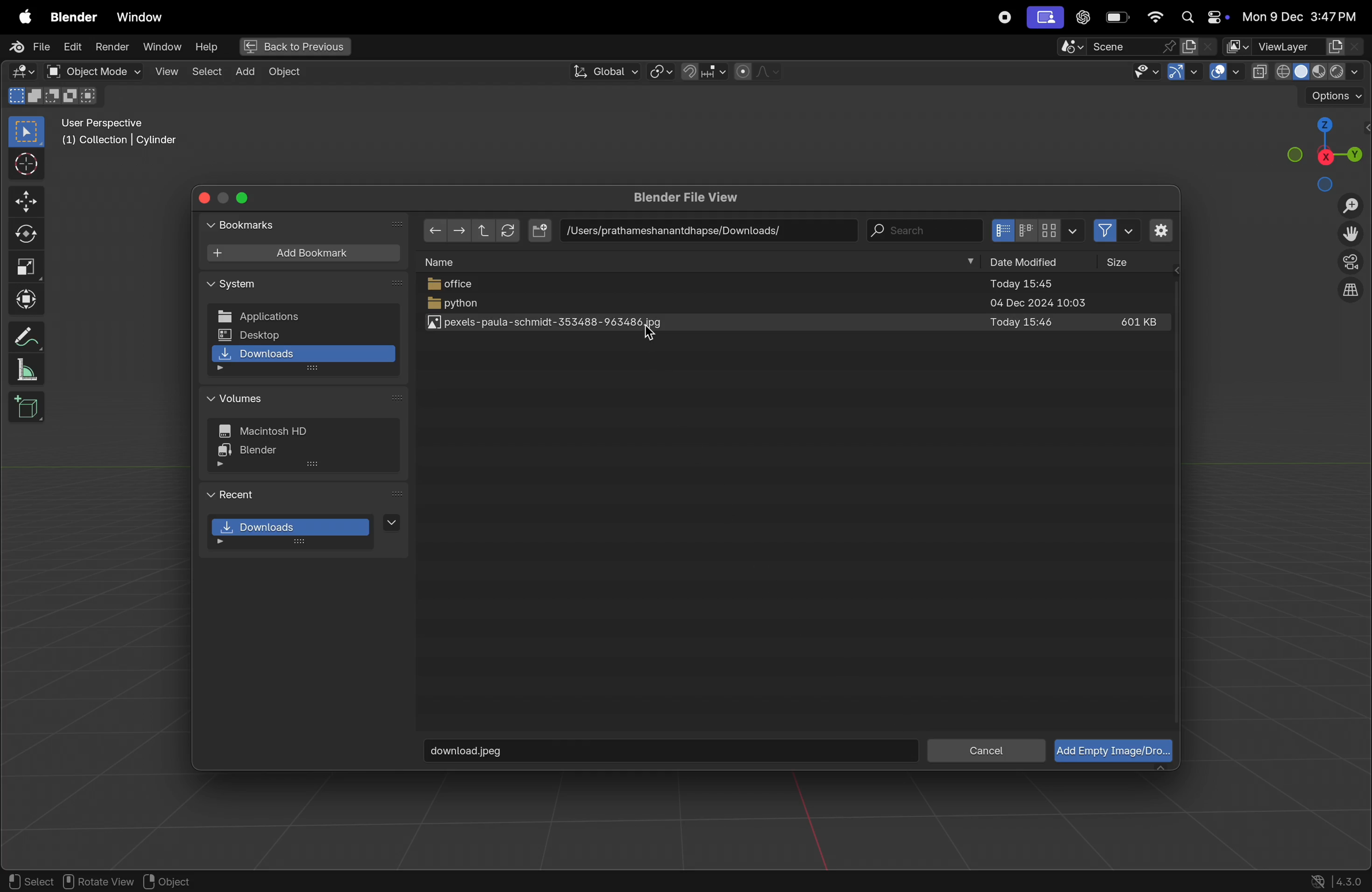  What do you see at coordinates (303, 357) in the screenshot?
I see `downloads` at bounding box center [303, 357].